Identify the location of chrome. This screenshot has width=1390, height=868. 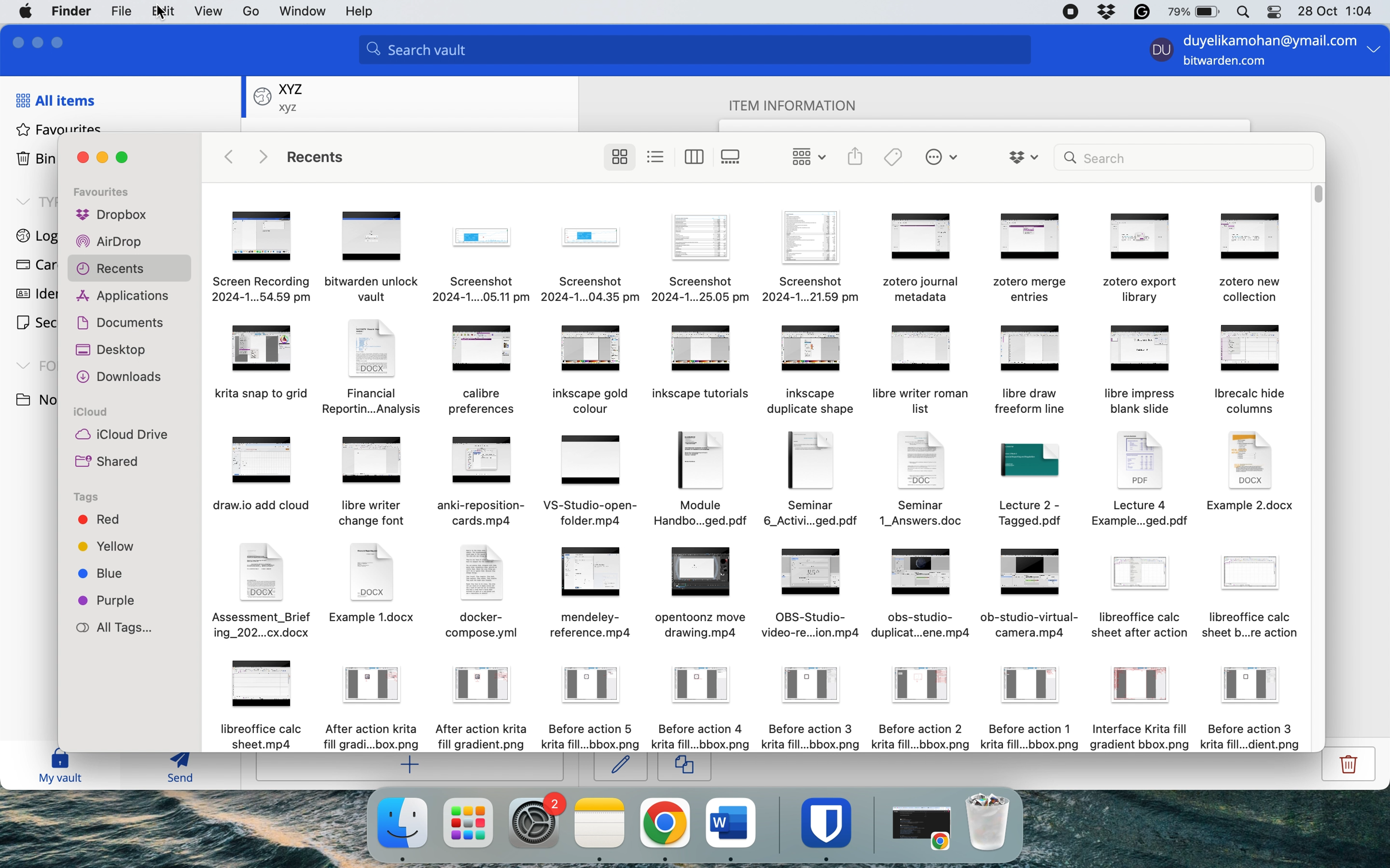
(665, 823).